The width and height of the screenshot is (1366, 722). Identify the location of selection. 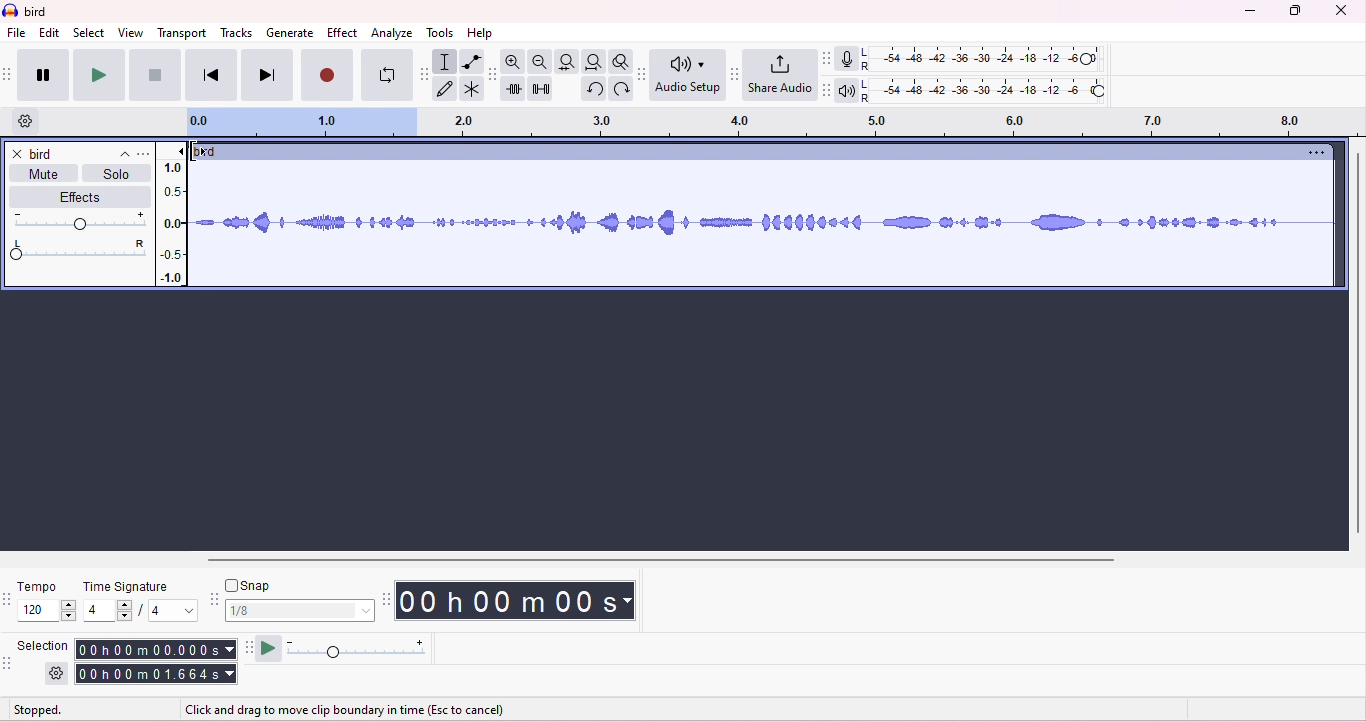
(46, 644).